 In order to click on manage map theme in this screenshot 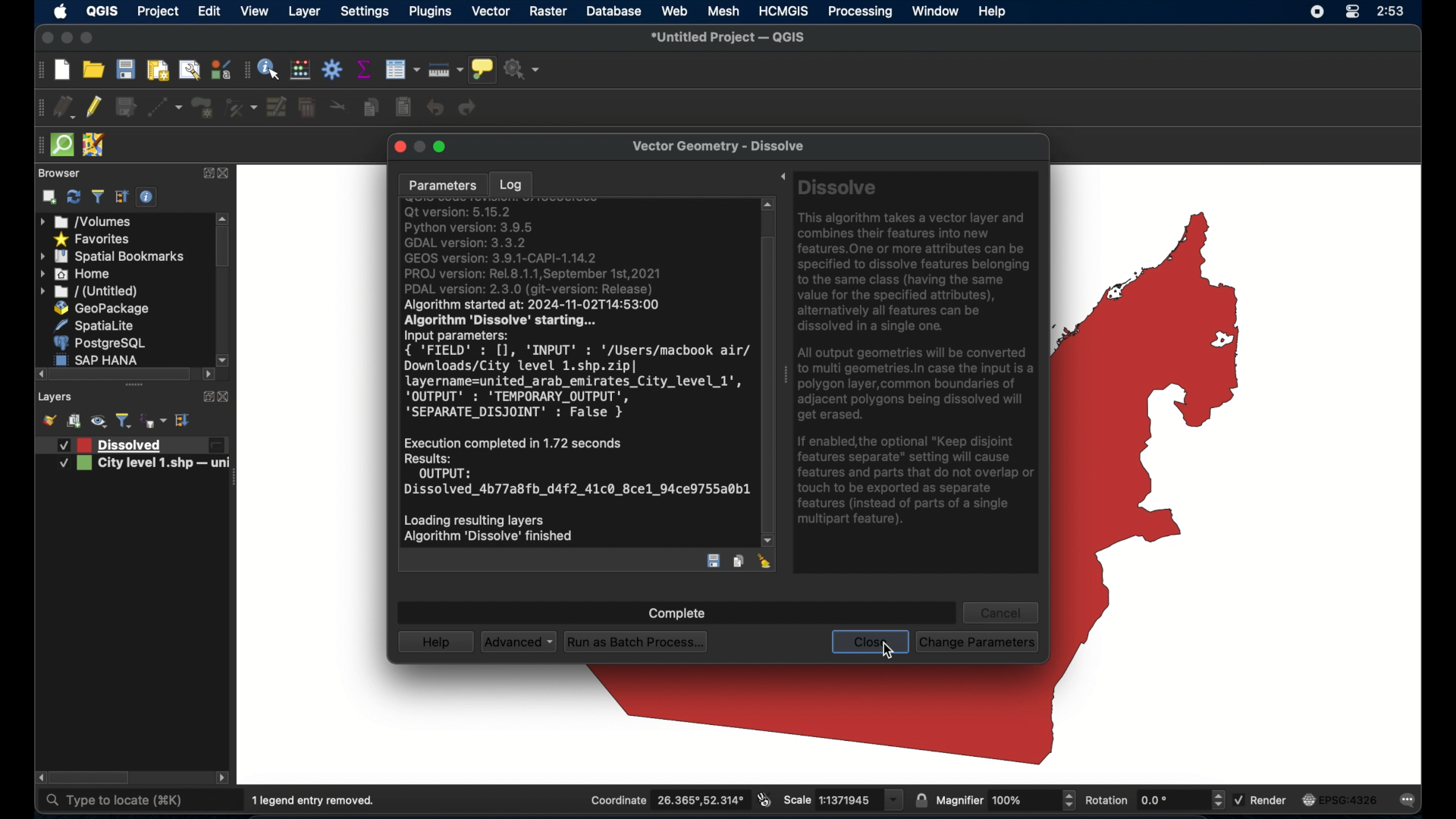, I will do `click(98, 423)`.